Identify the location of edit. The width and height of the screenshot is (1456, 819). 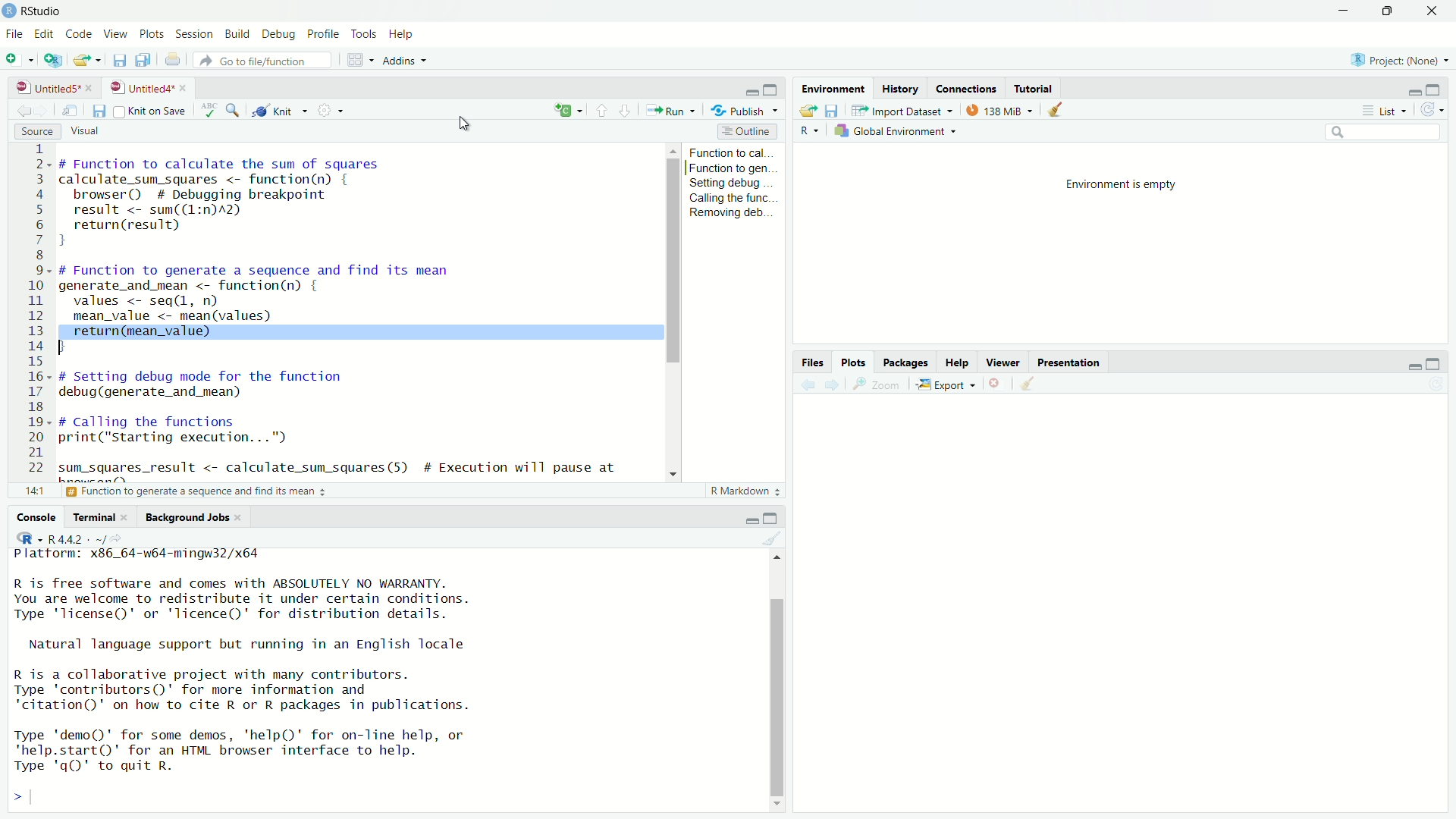
(45, 35).